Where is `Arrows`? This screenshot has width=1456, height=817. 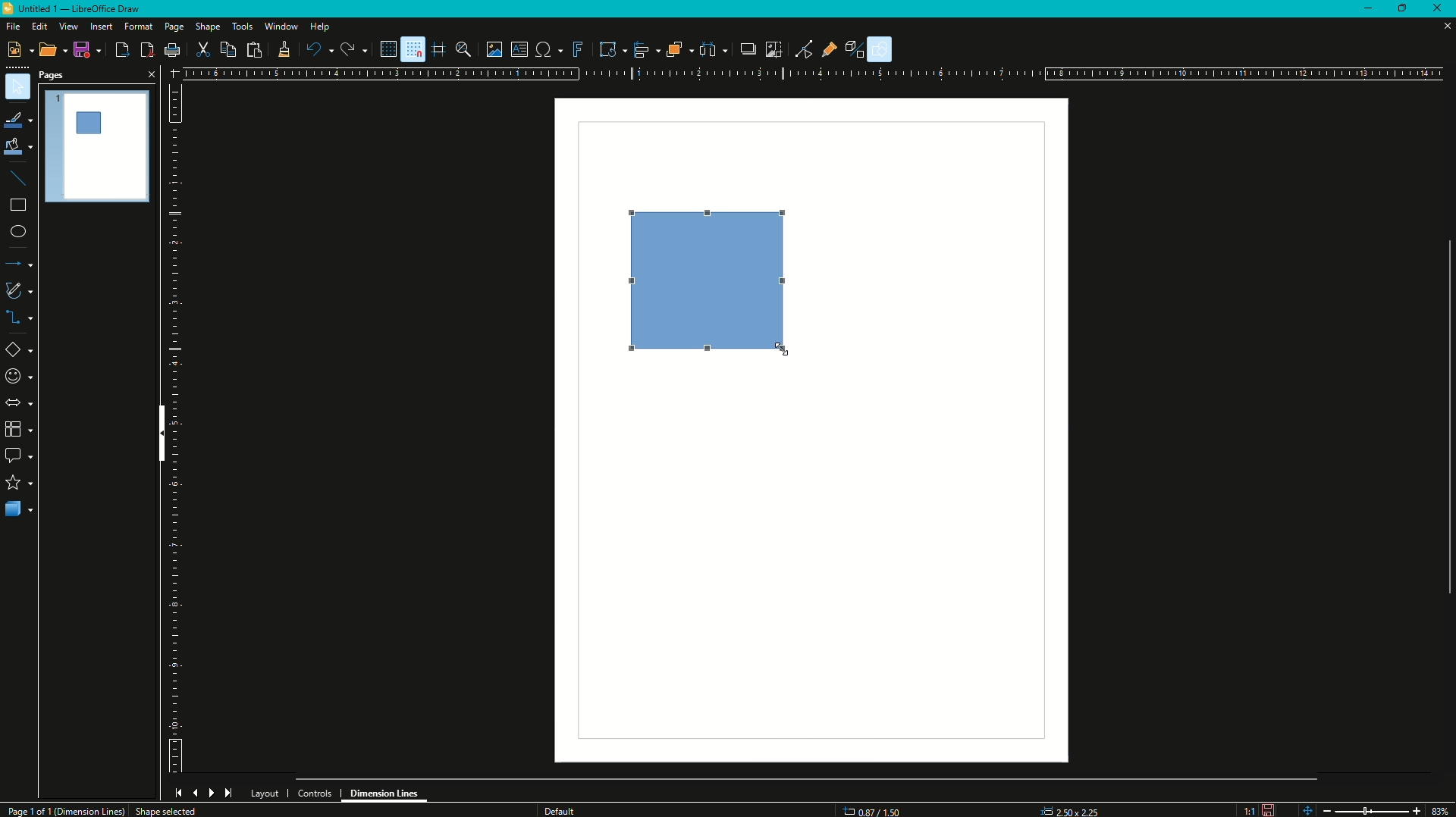
Arrows is located at coordinates (18, 402).